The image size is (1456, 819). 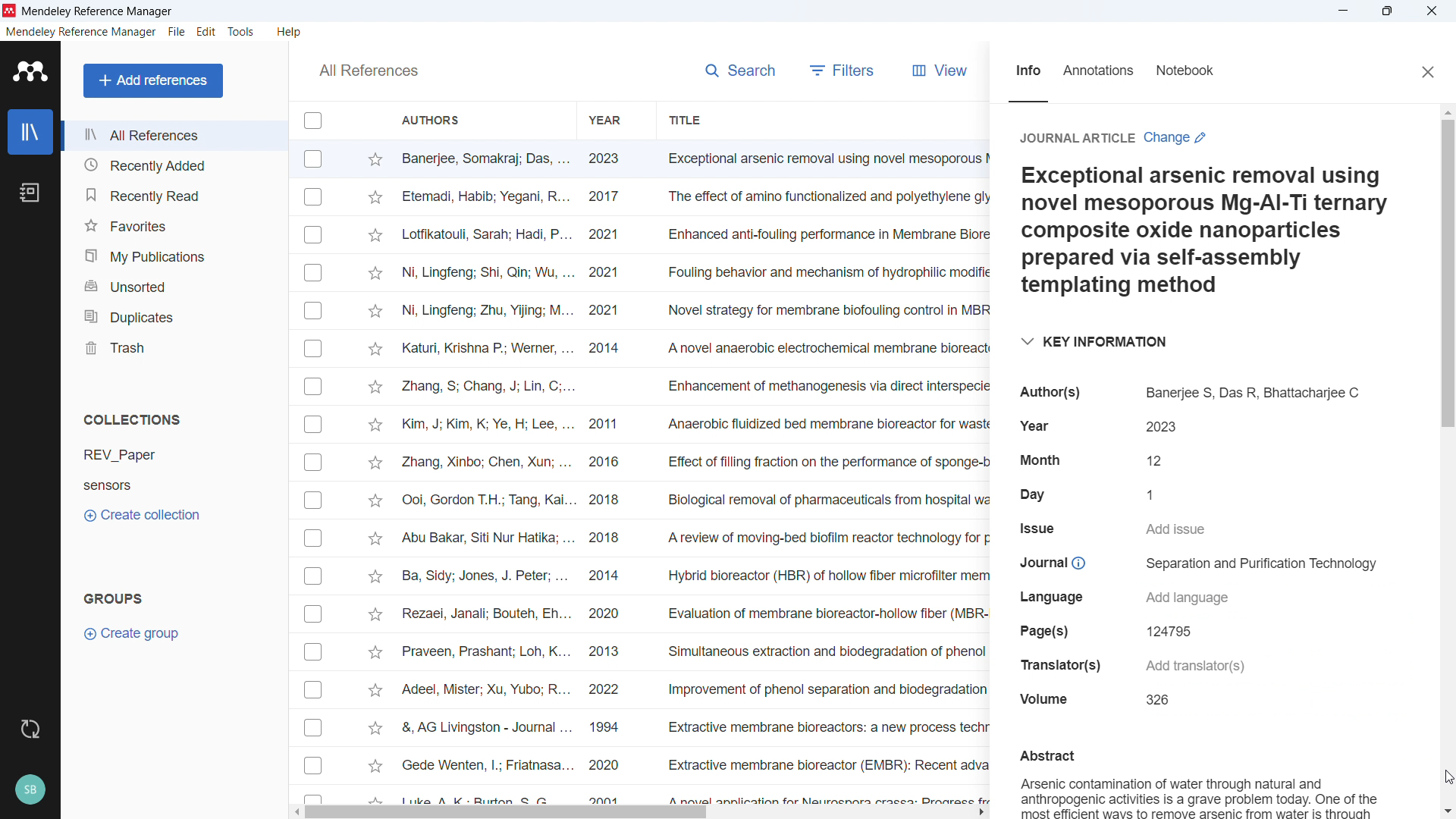 I want to click on trash, so click(x=176, y=346).